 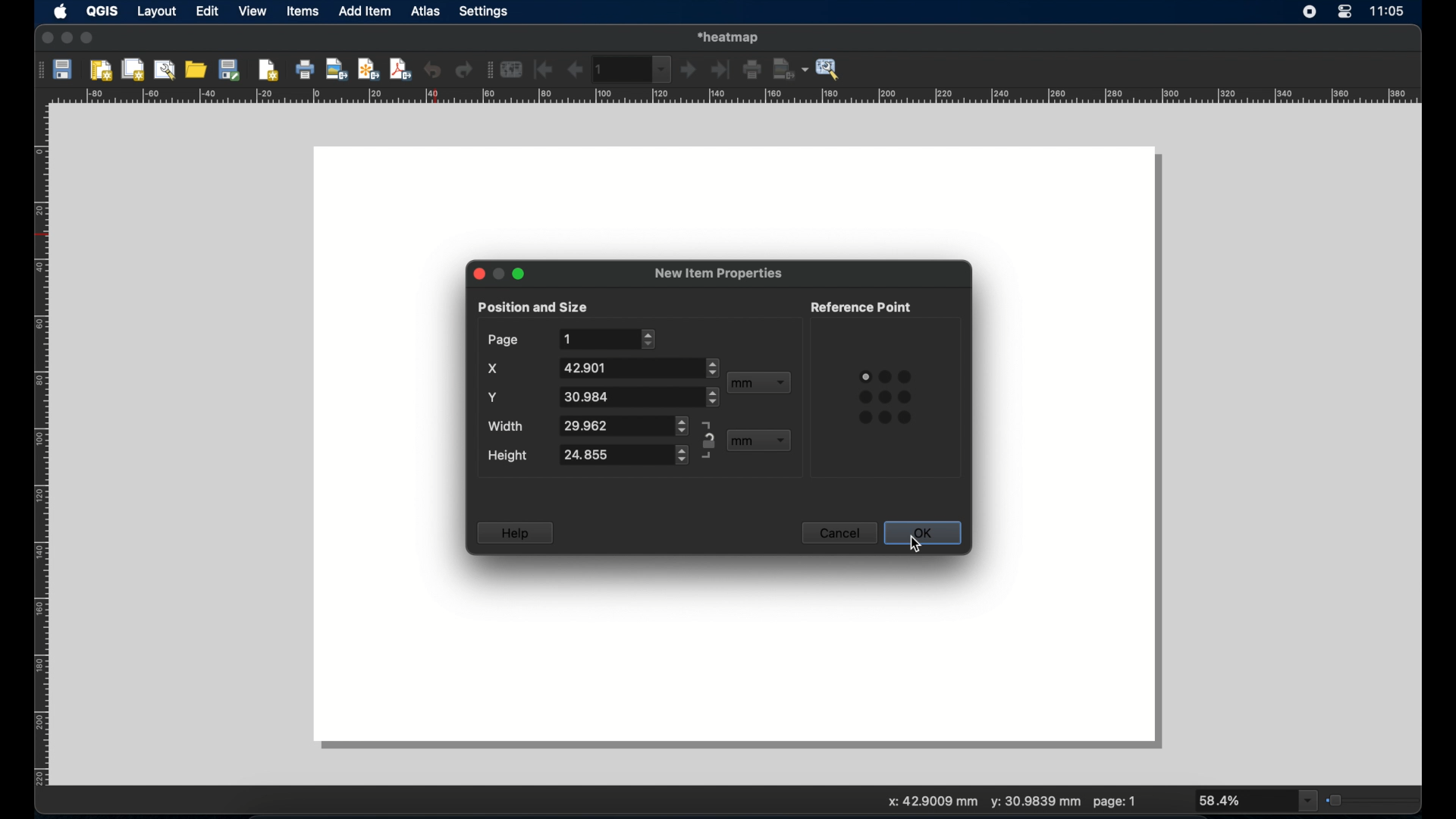 I want to click on add pages, so click(x=268, y=71).